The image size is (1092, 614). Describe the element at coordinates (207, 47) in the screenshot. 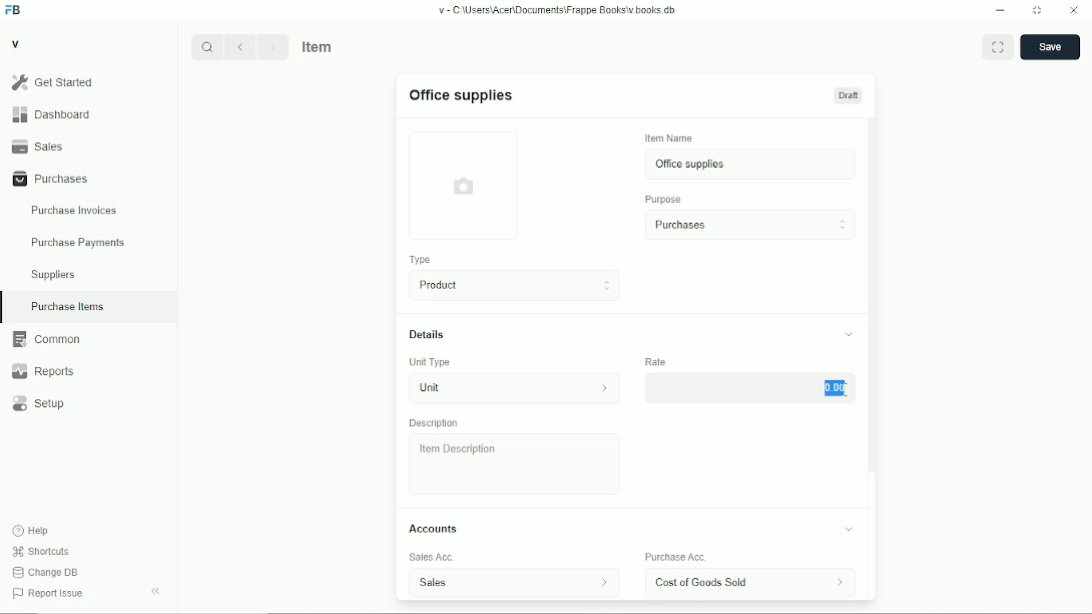

I see `Search` at that location.